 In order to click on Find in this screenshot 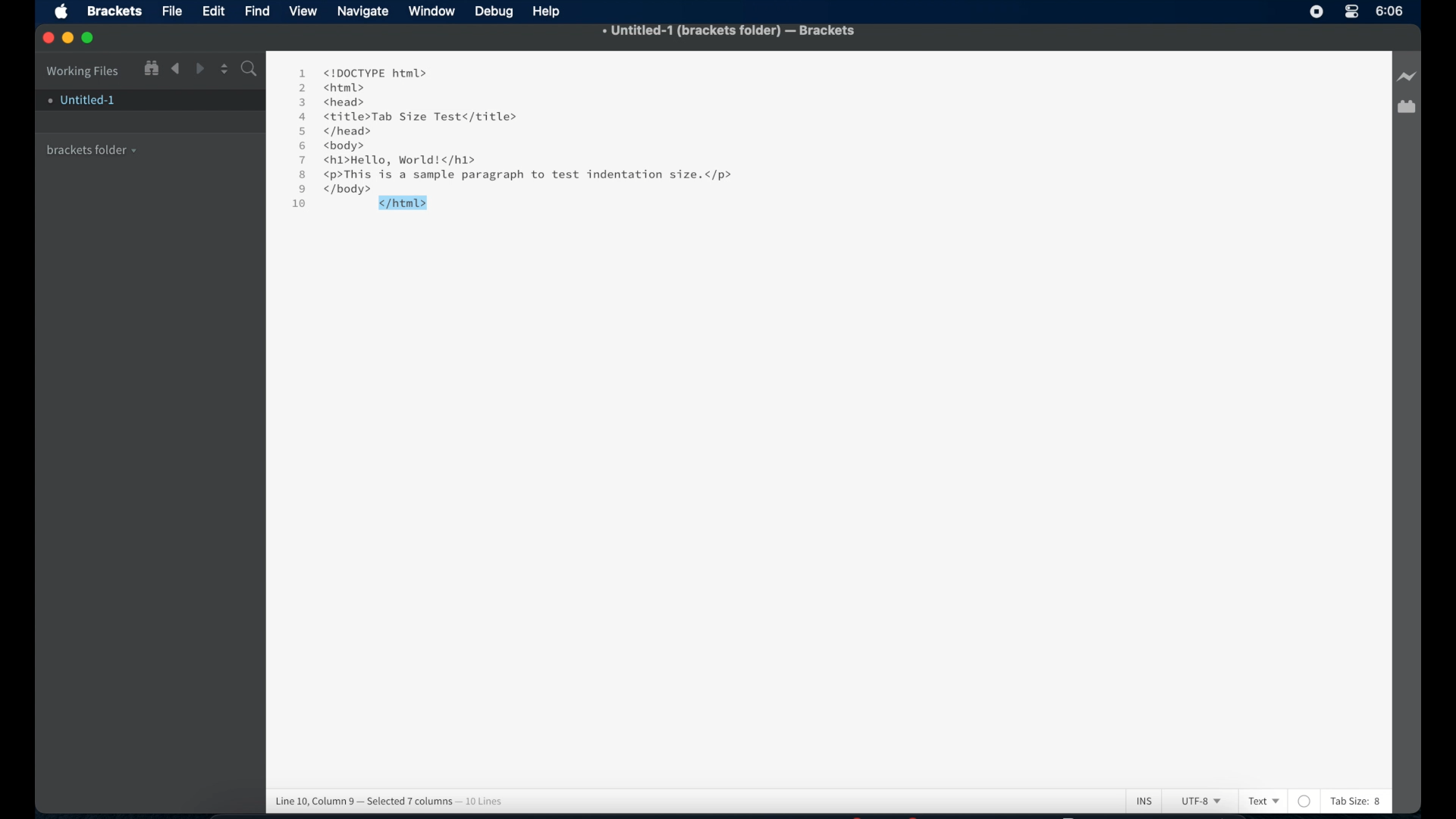, I will do `click(258, 10)`.